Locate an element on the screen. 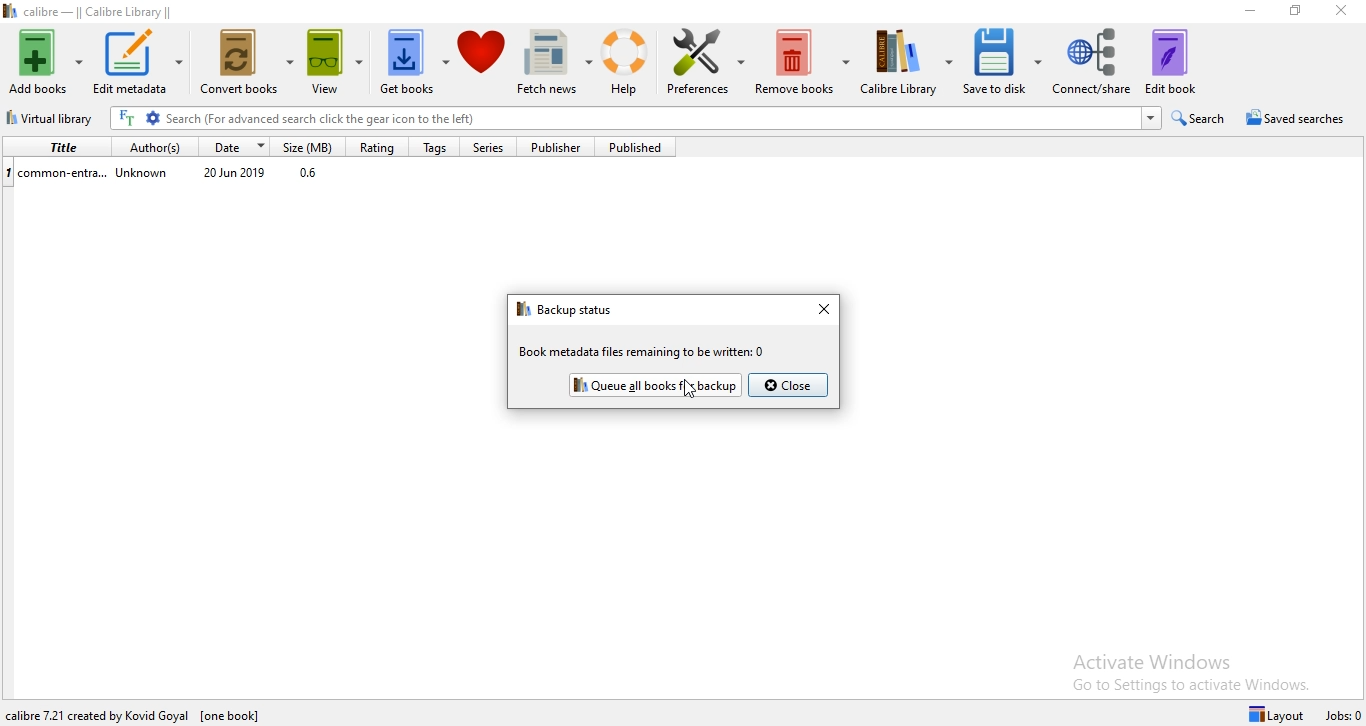 The image size is (1366, 726). Connect/share is located at coordinates (1093, 62).